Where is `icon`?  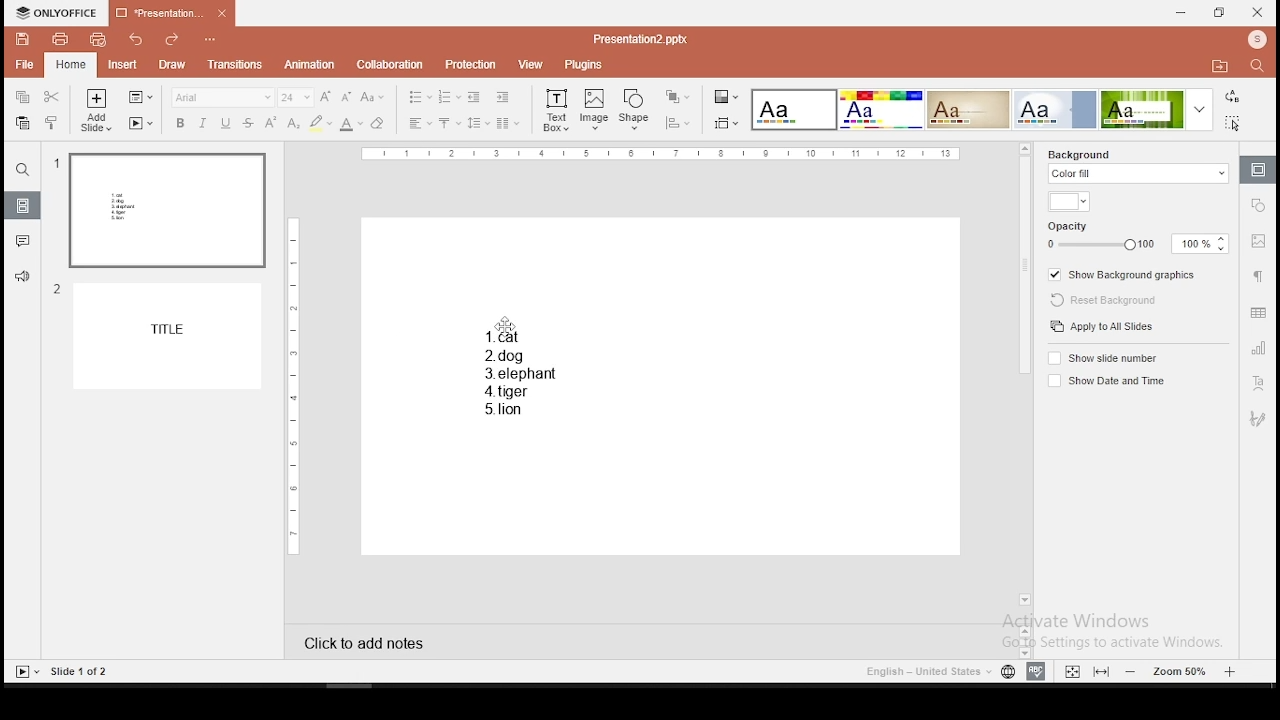
icon is located at coordinates (1256, 41).